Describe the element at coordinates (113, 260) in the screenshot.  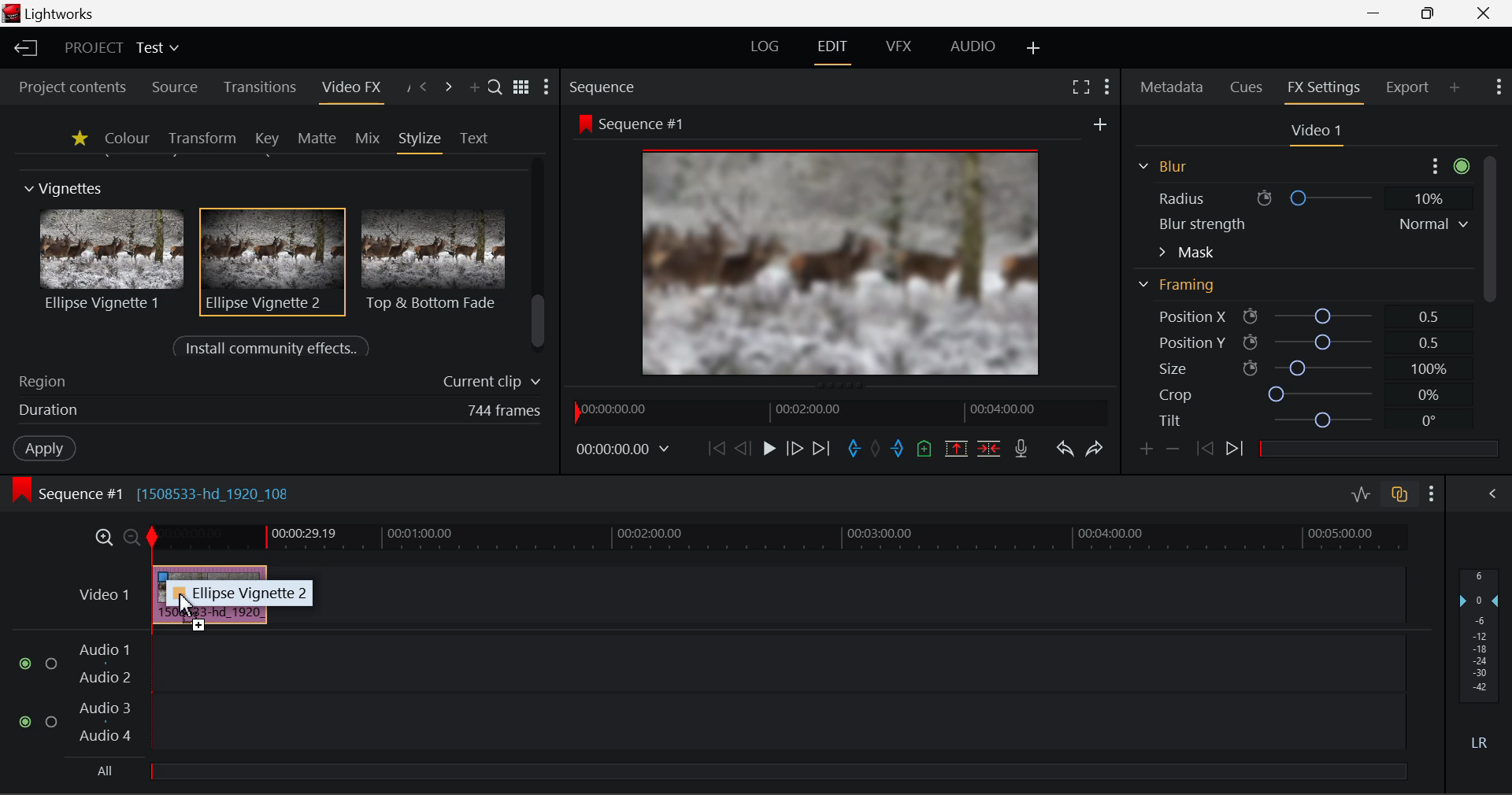
I see `Ellipse Vignette 1` at that location.